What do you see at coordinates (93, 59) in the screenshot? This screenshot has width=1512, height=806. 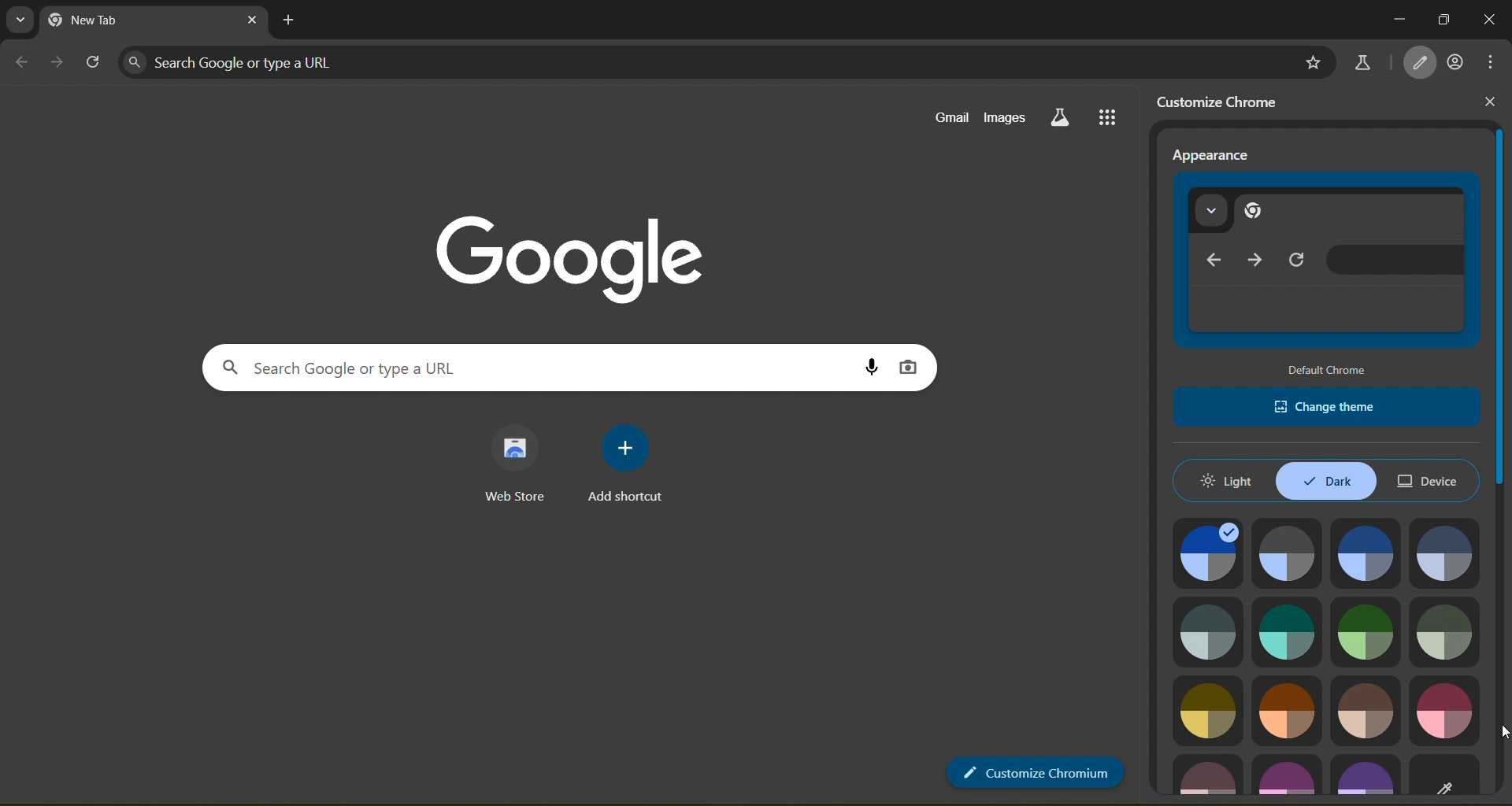 I see `reload page` at bounding box center [93, 59].